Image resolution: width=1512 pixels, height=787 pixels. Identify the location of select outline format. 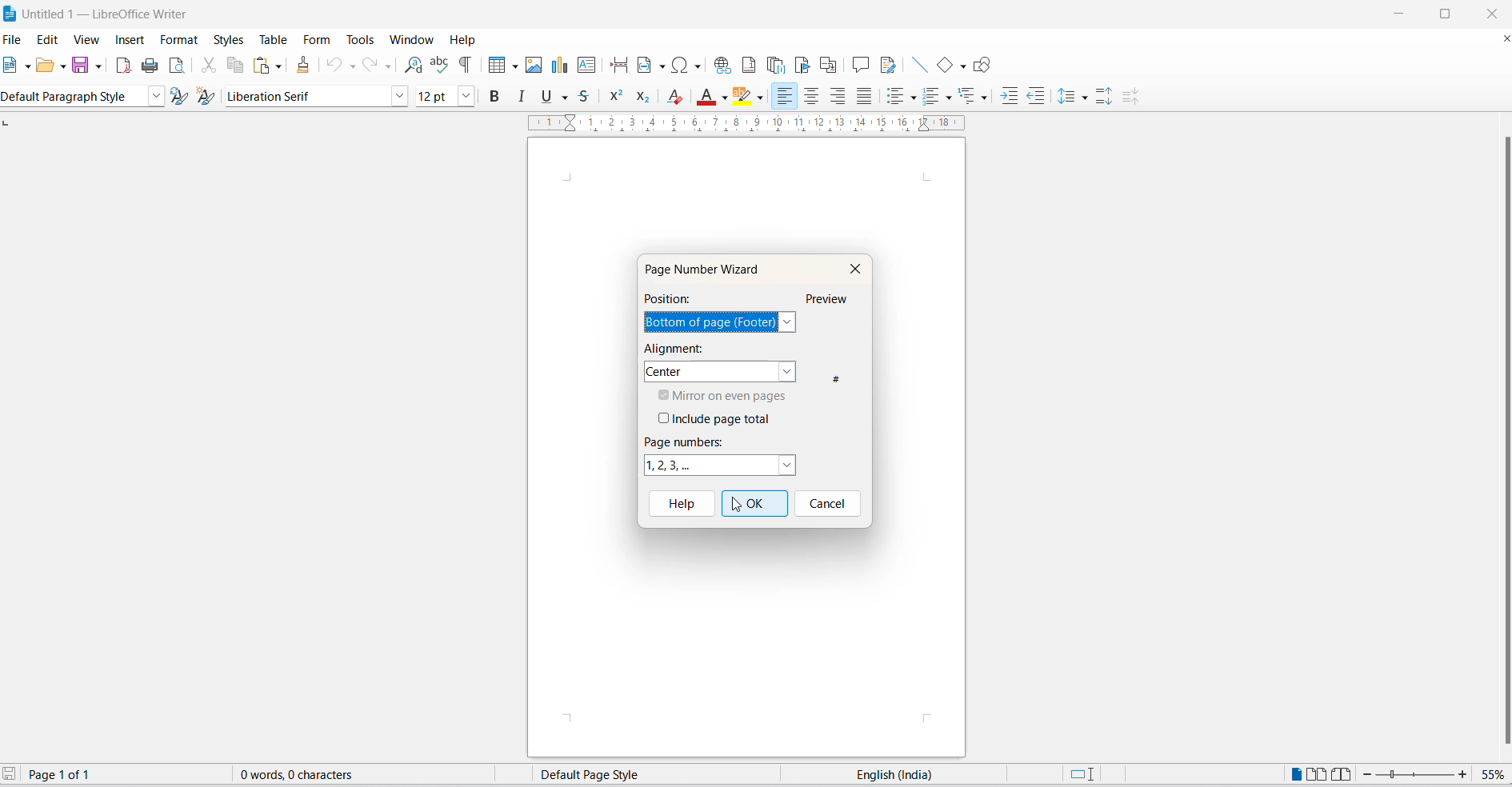
(976, 97).